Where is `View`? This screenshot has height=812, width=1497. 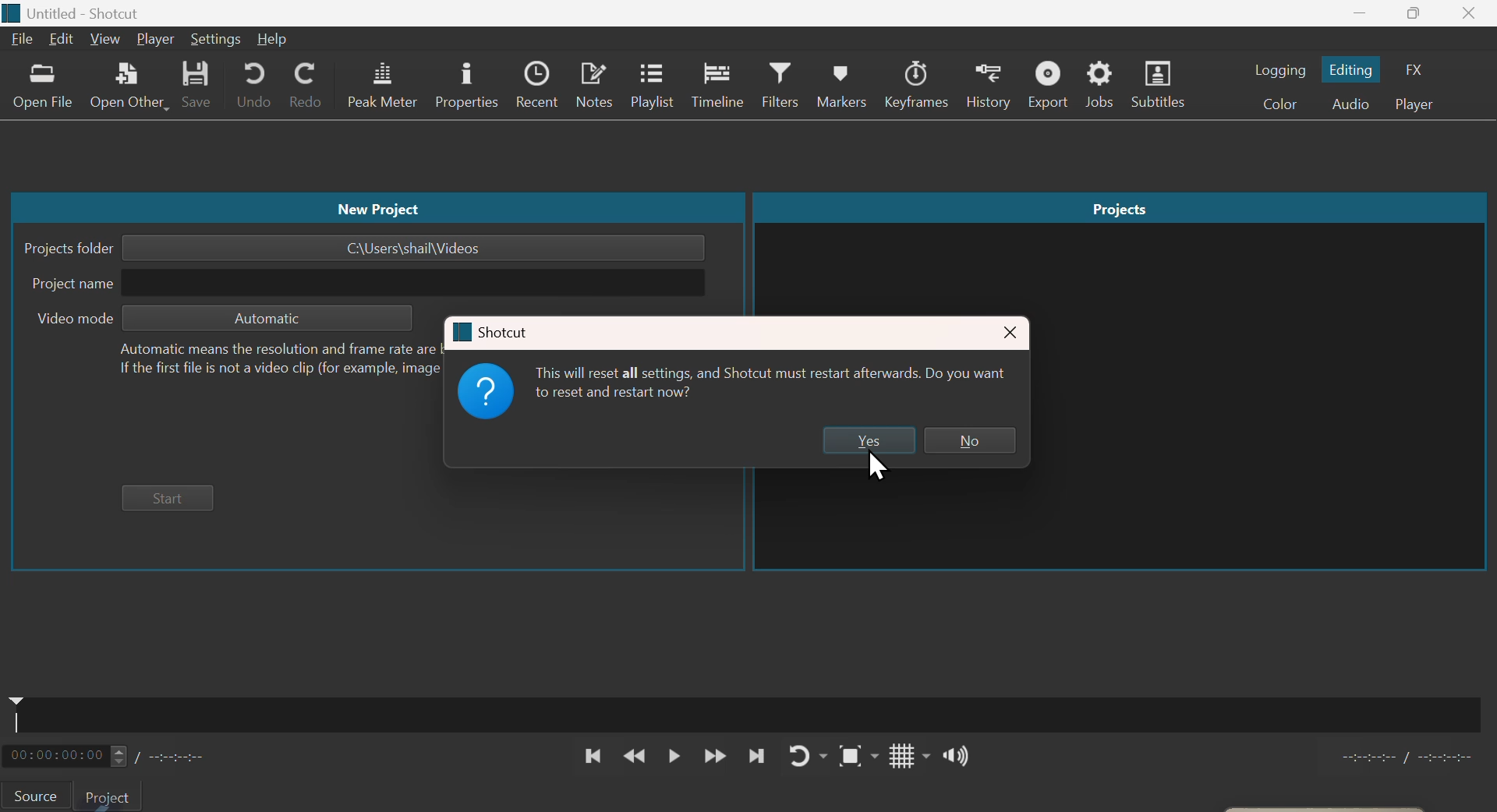
View is located at coordinates (106, 39).